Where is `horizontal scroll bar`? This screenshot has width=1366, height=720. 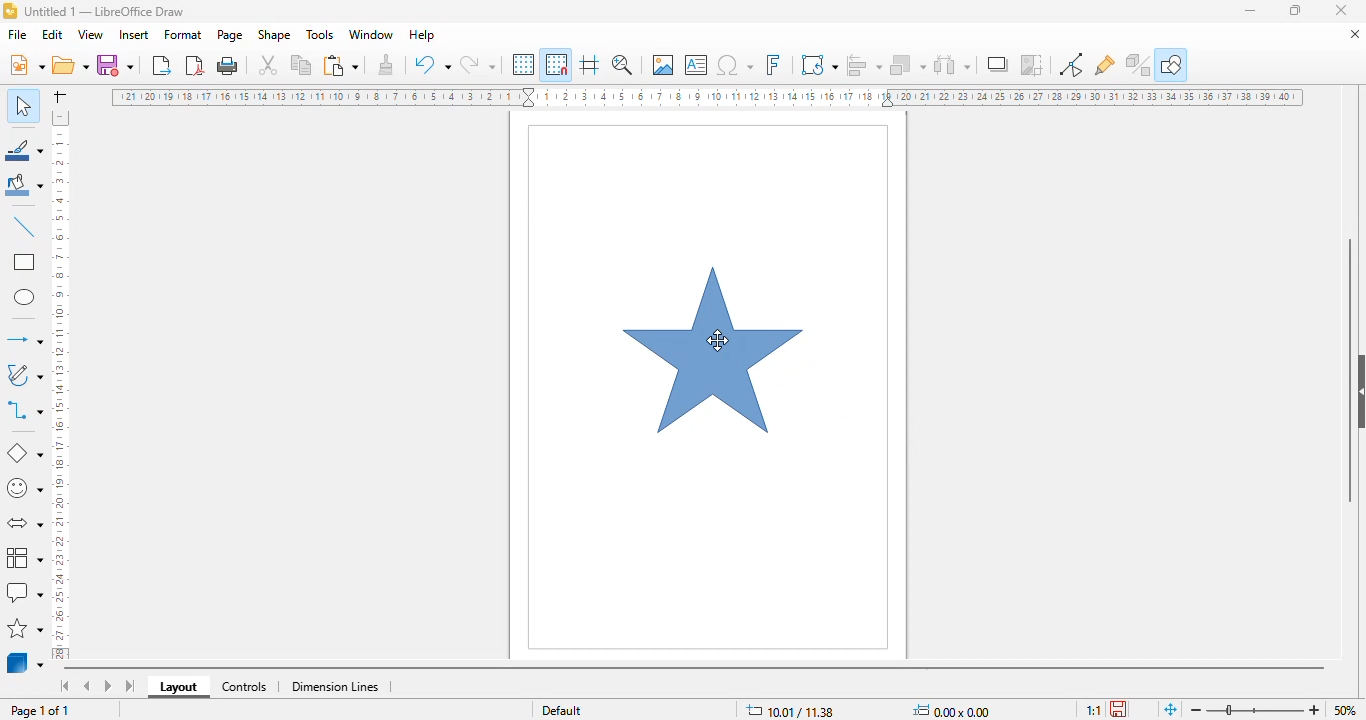 horizontal scroll bar is located at coordinates (697, 668).